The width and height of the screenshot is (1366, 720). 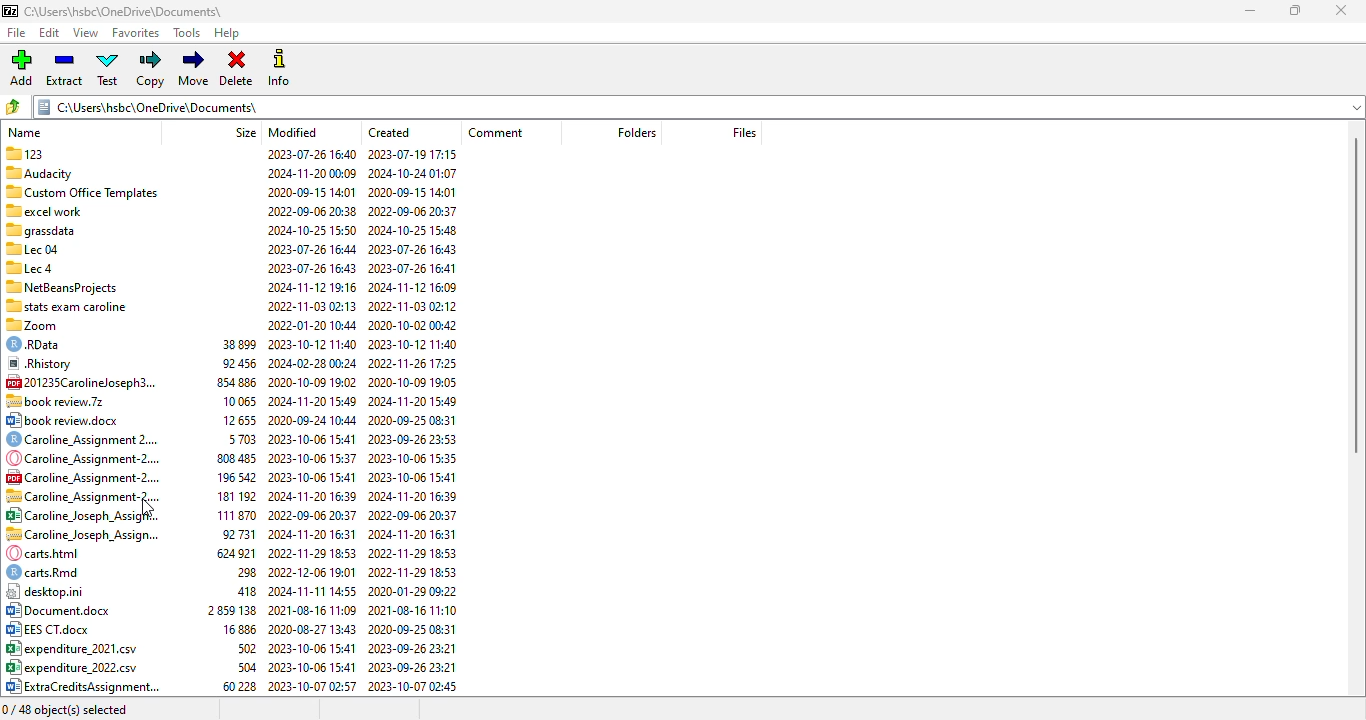 I want to click on edit, so click(x=50, y=33).